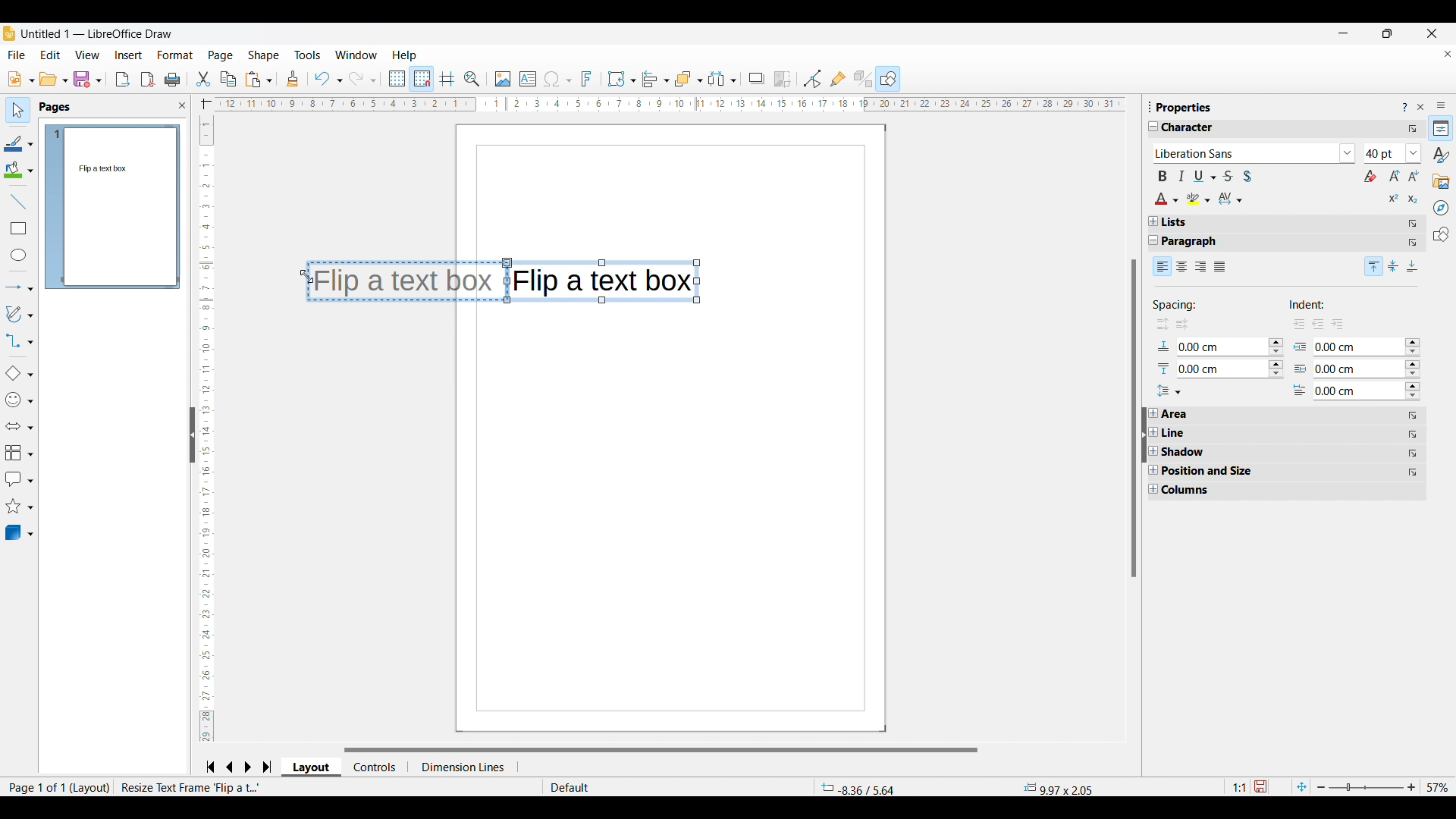 The height and width of the screenshot is (819, 1456). What do you see at coordinates (1344, 33) in the screenshot?
I see `Minimize` at bounding box center [1344, 33].